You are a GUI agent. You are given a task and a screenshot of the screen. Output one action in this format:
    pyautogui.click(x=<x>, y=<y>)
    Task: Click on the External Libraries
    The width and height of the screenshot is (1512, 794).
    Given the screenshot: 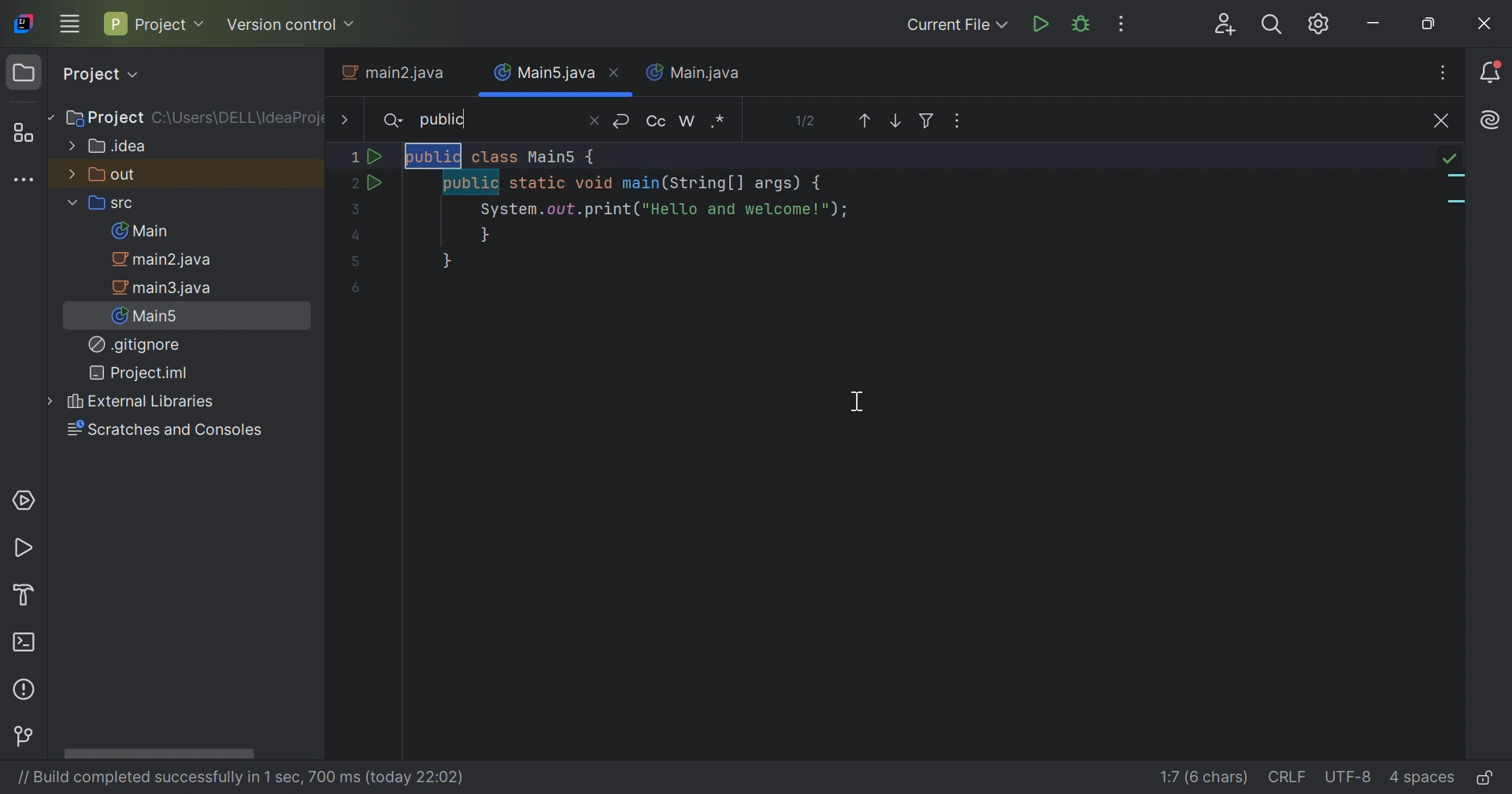 What is the action you would take?
    pyautogui.click(x=133, y=400)
    